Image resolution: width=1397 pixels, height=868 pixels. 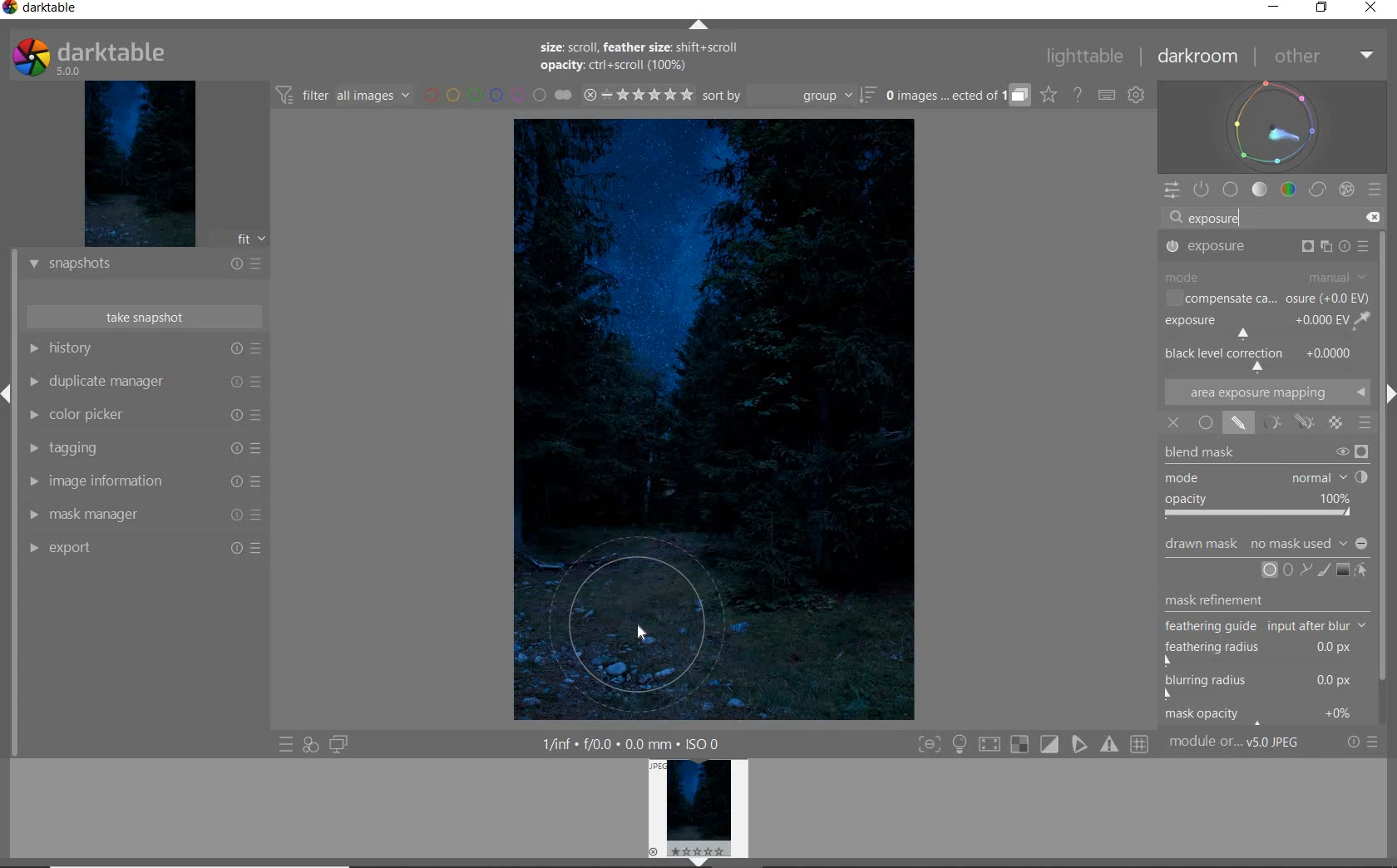 I want to click on SELECTED IMAGE, so click(x=712, y=420).